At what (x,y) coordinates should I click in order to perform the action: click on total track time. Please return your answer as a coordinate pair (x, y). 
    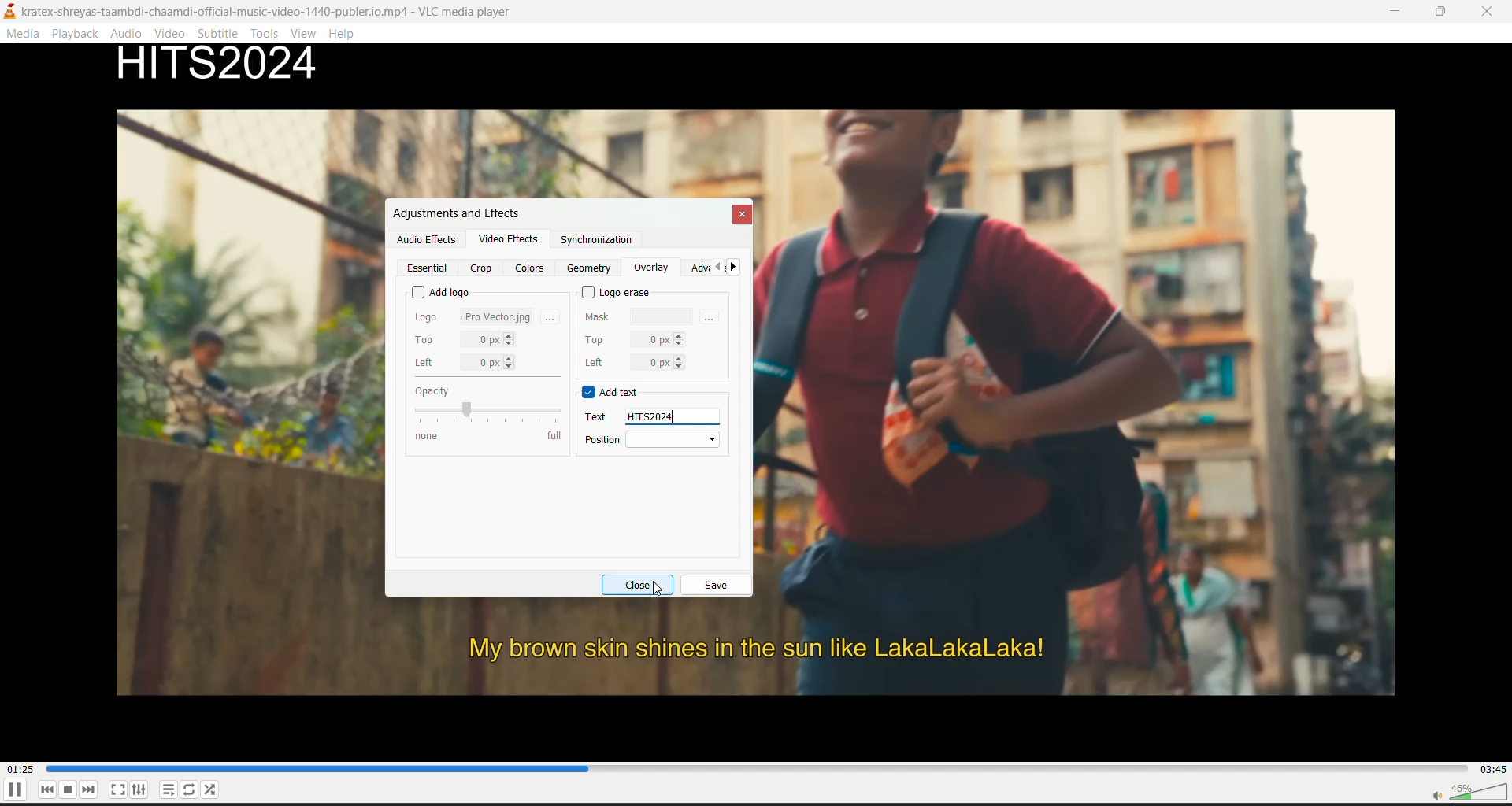
    Looking at the image, I should click on (1492, 768).